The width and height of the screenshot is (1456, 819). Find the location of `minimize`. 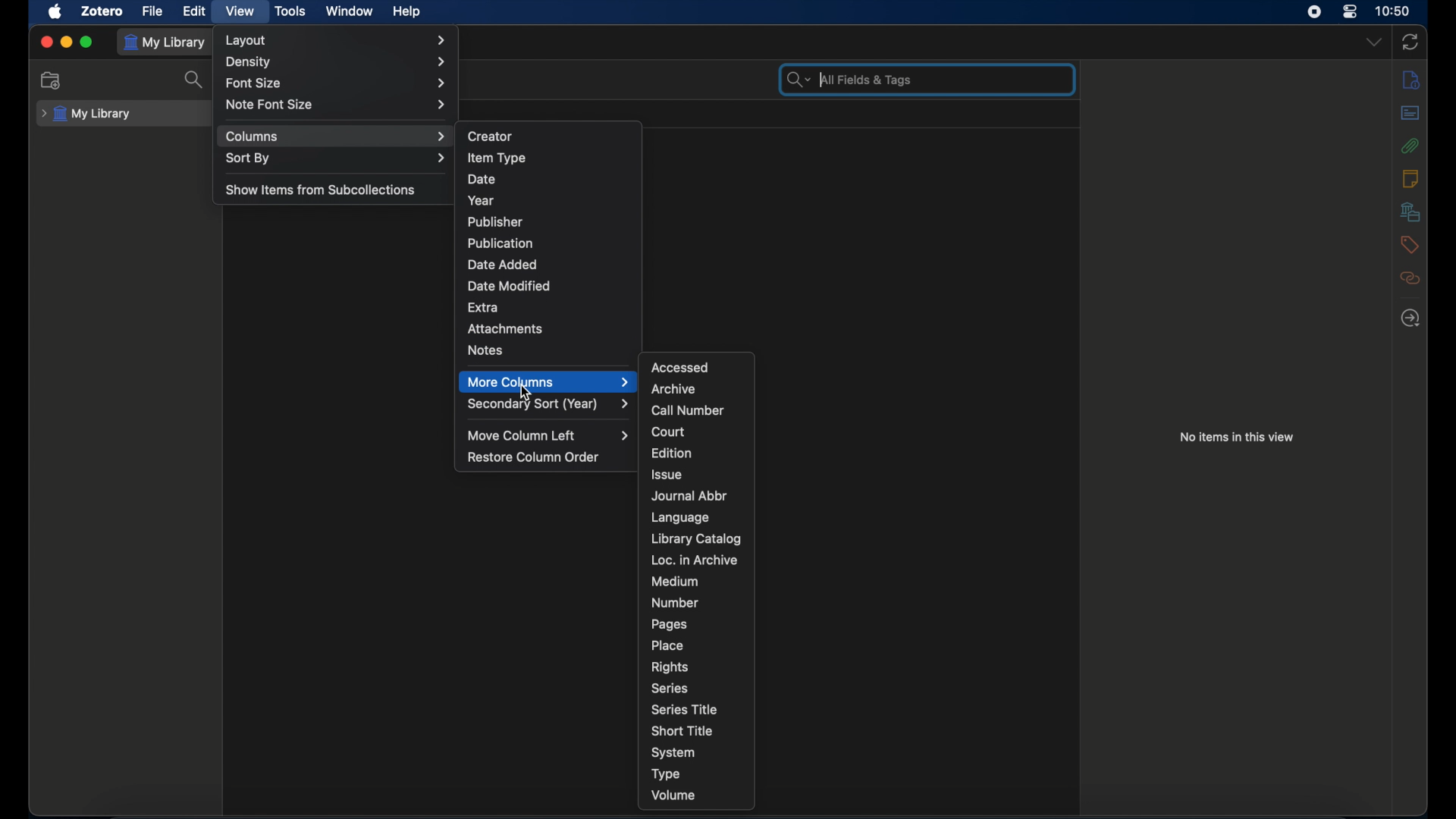

minimize is located at coordinates (65, 42).